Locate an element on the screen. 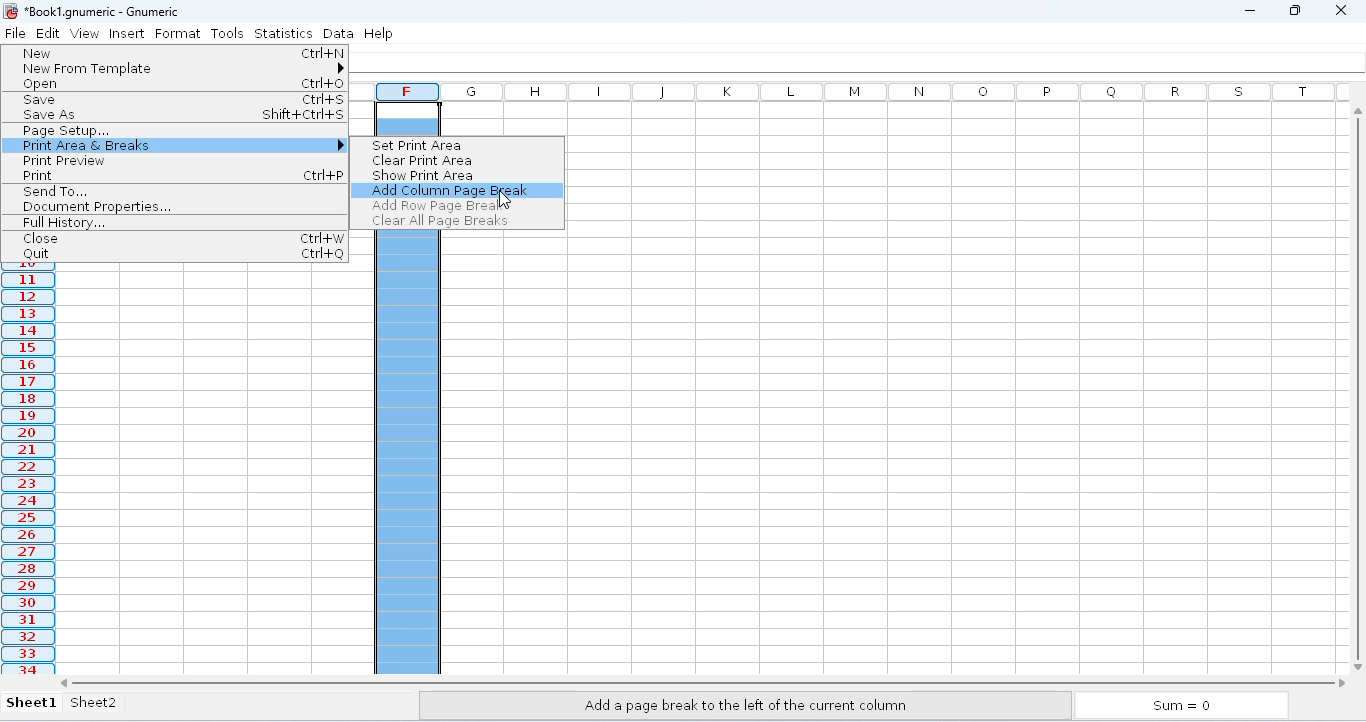 This screenshot has height=722, width=1366. close is located at coordinates (1342, 10).